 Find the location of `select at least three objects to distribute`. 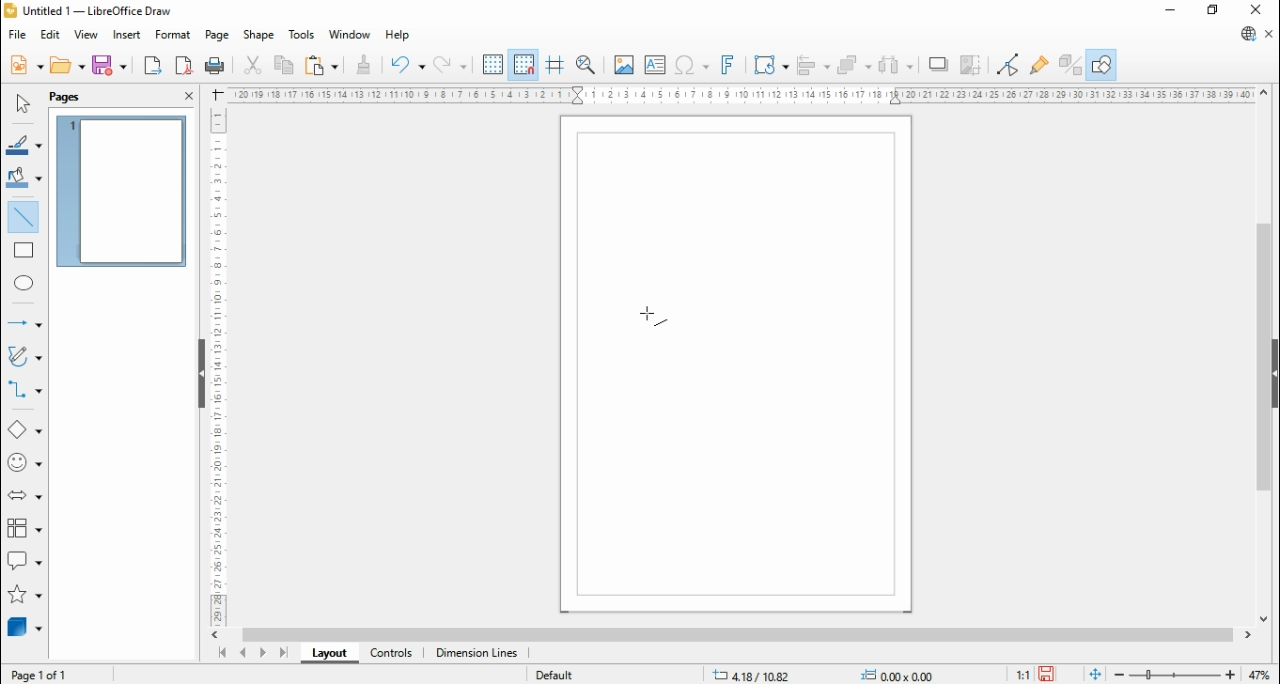

select at least three objects to distribute is located at coordinates (897, 65).